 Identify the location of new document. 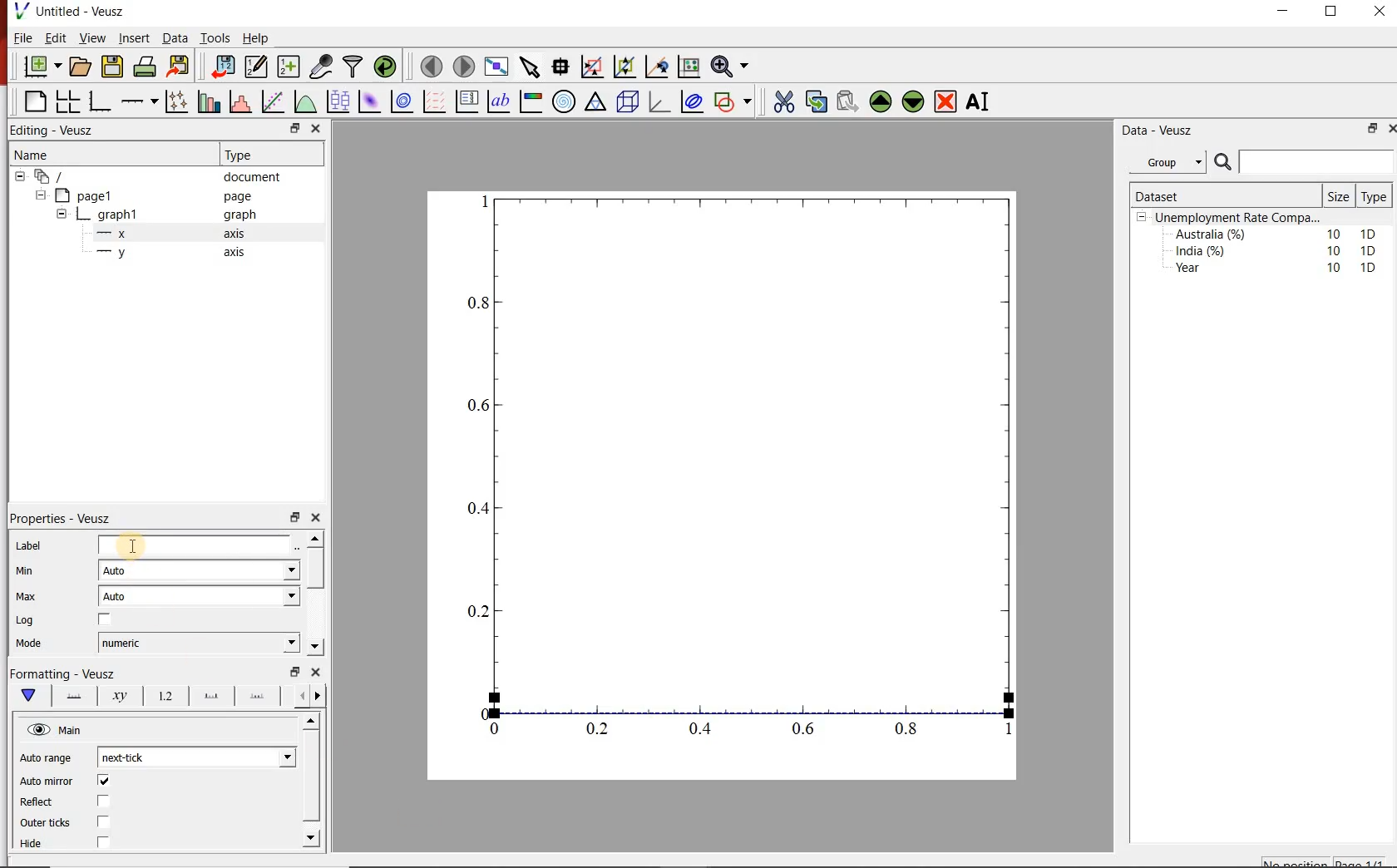
(43, 66).